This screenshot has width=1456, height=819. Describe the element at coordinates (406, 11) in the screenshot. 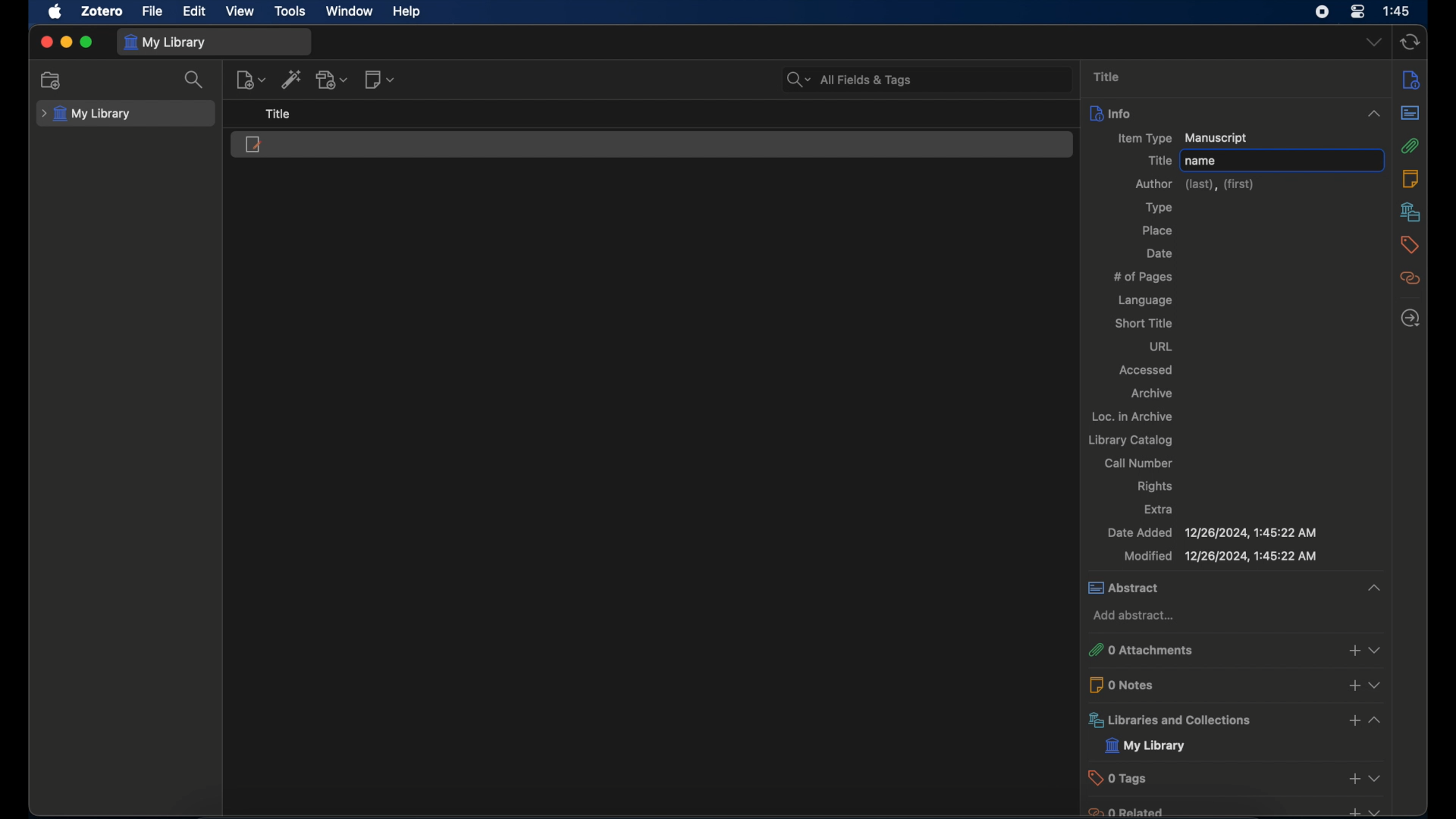

I see `help` at that location.